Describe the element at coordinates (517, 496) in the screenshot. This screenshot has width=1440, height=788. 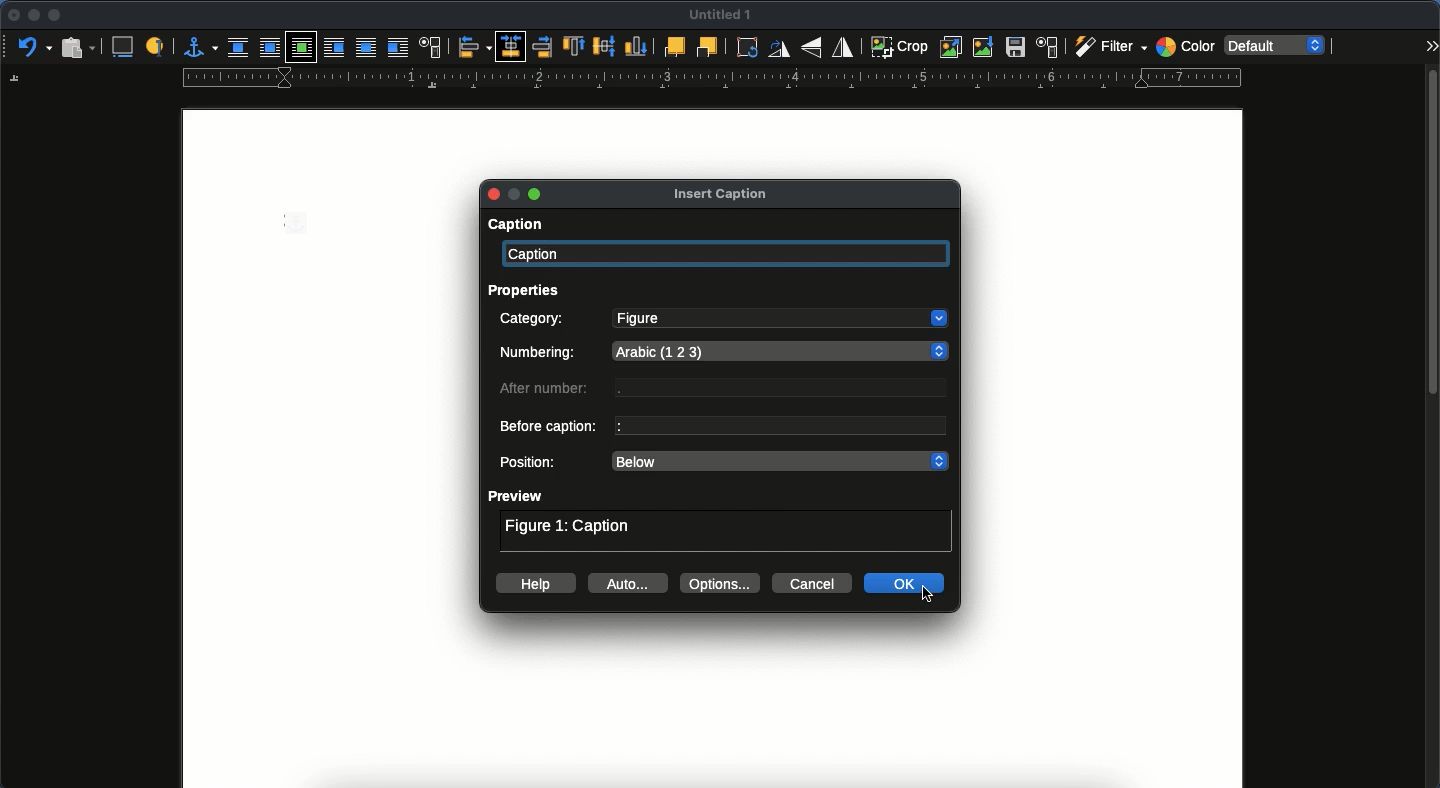
I see `preview` at that location.